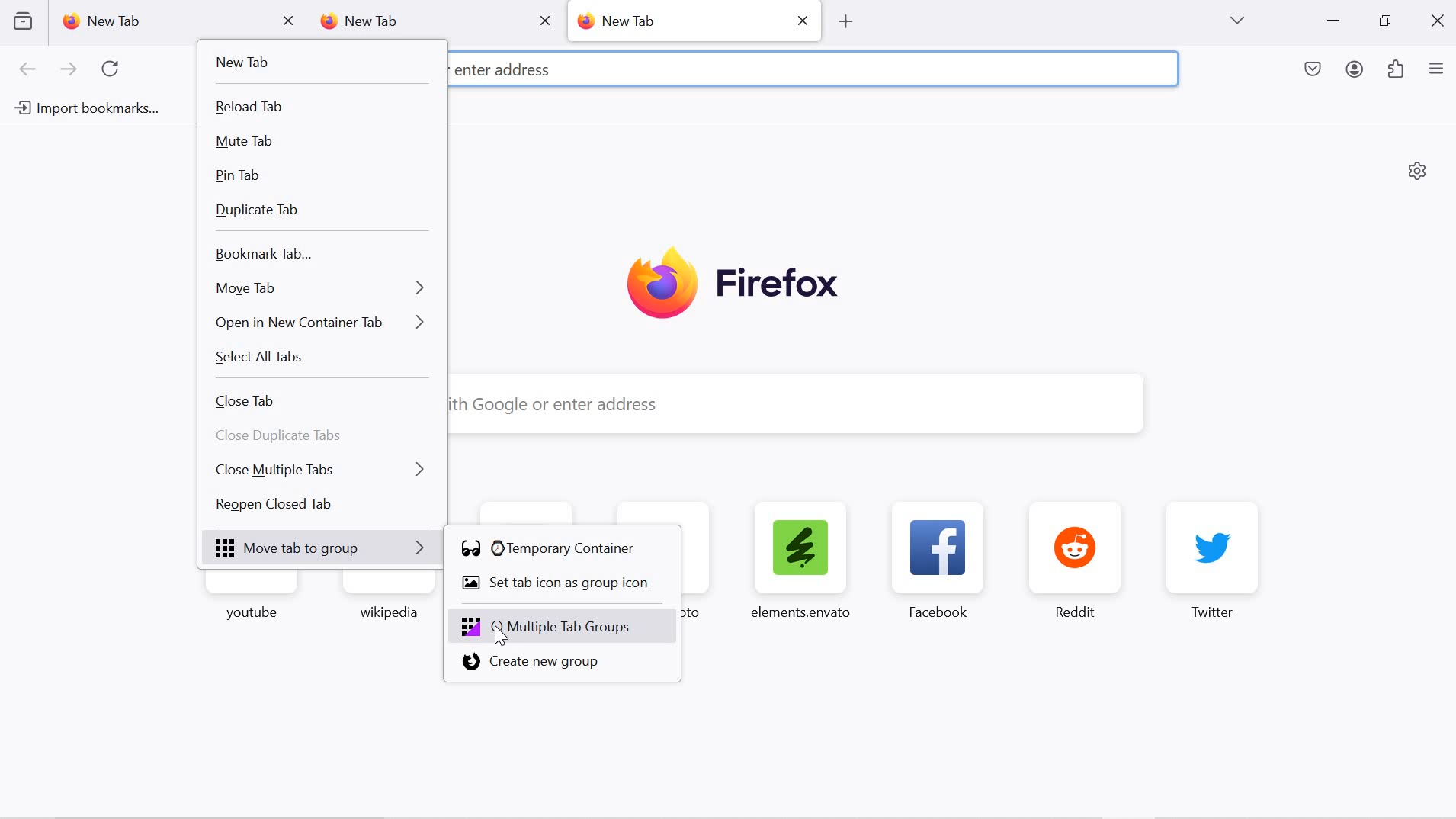 This screenshot has height=819, width=1456. I want to click on list all tabs, so click(1236, 21).